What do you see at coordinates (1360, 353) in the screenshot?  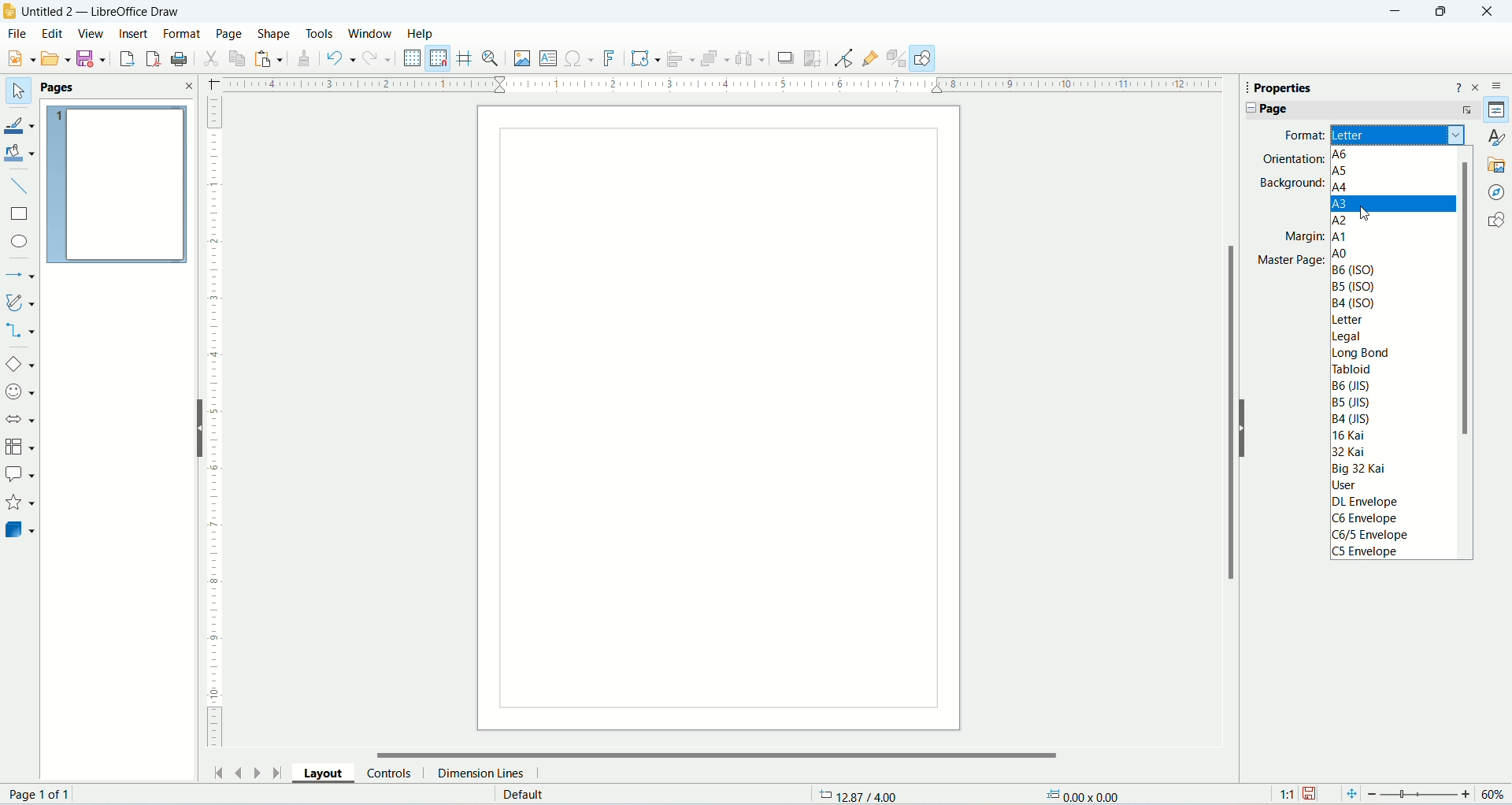 I see `long bond` at bounding box center [1360, 353].